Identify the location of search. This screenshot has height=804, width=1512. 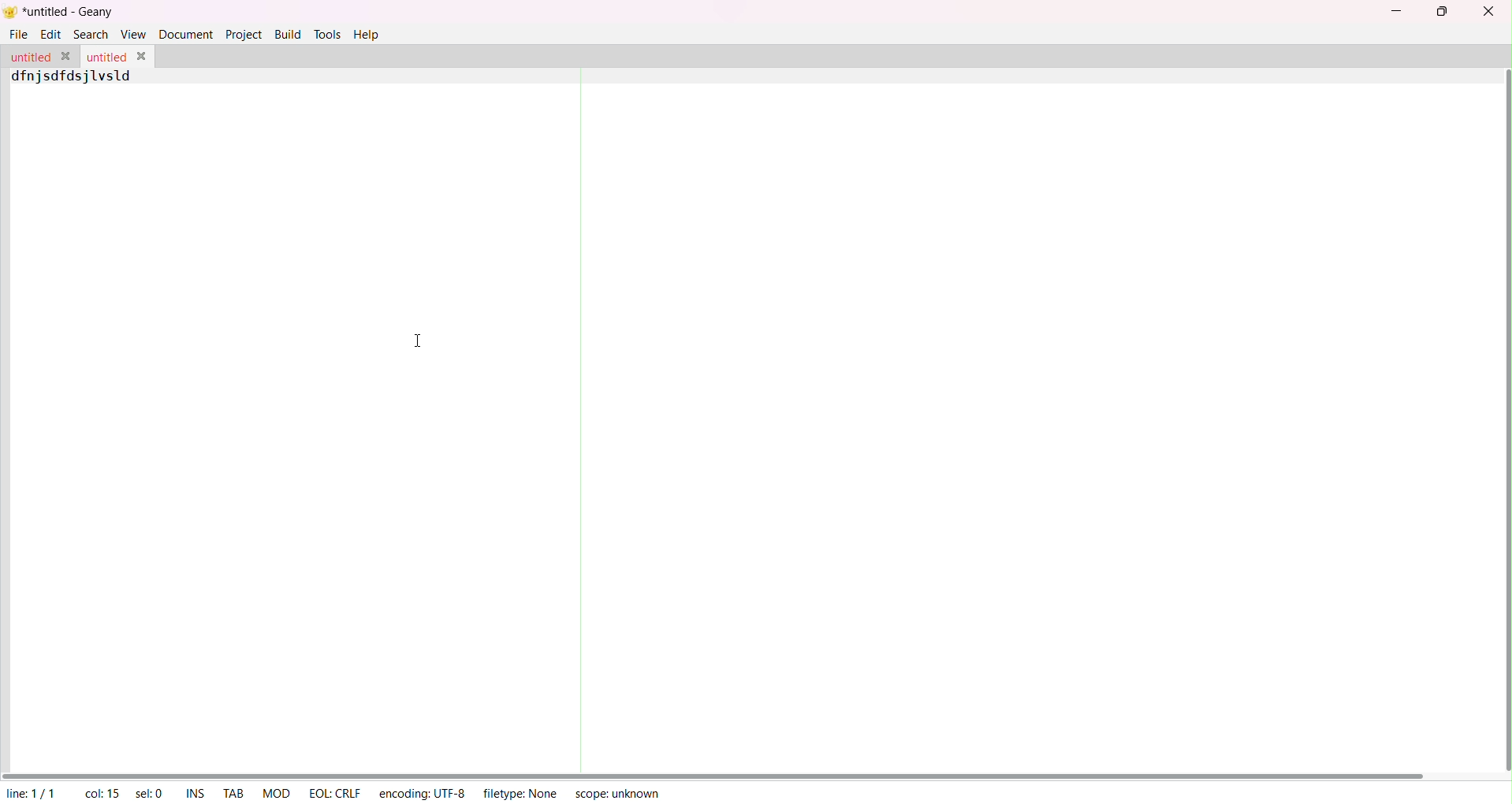
(91, 35).